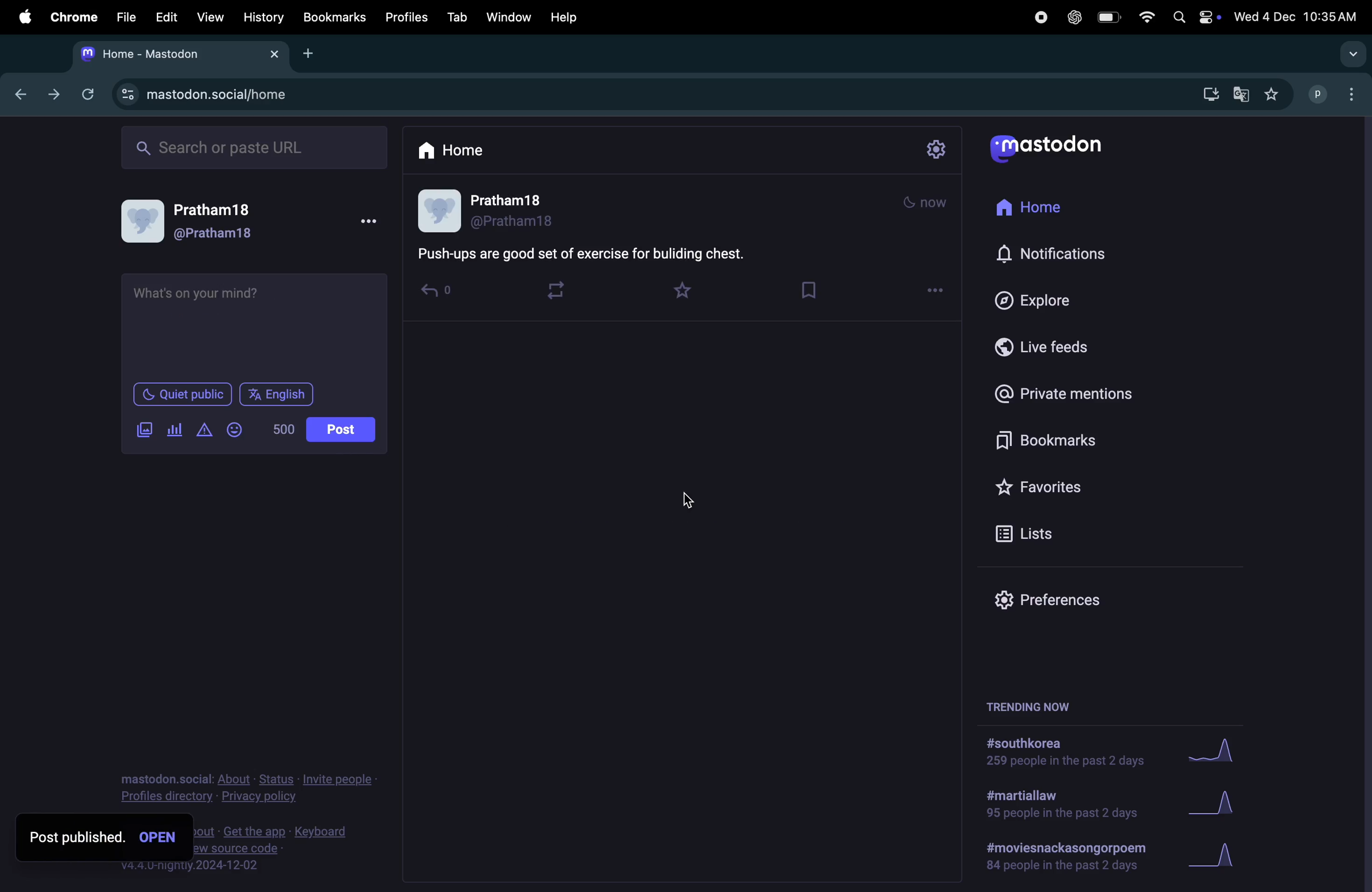 The width and height of the screenshot is (1372, 892). Describe the element at coordinates (814, 289) in the screenshot. I see `book mark` at that location.